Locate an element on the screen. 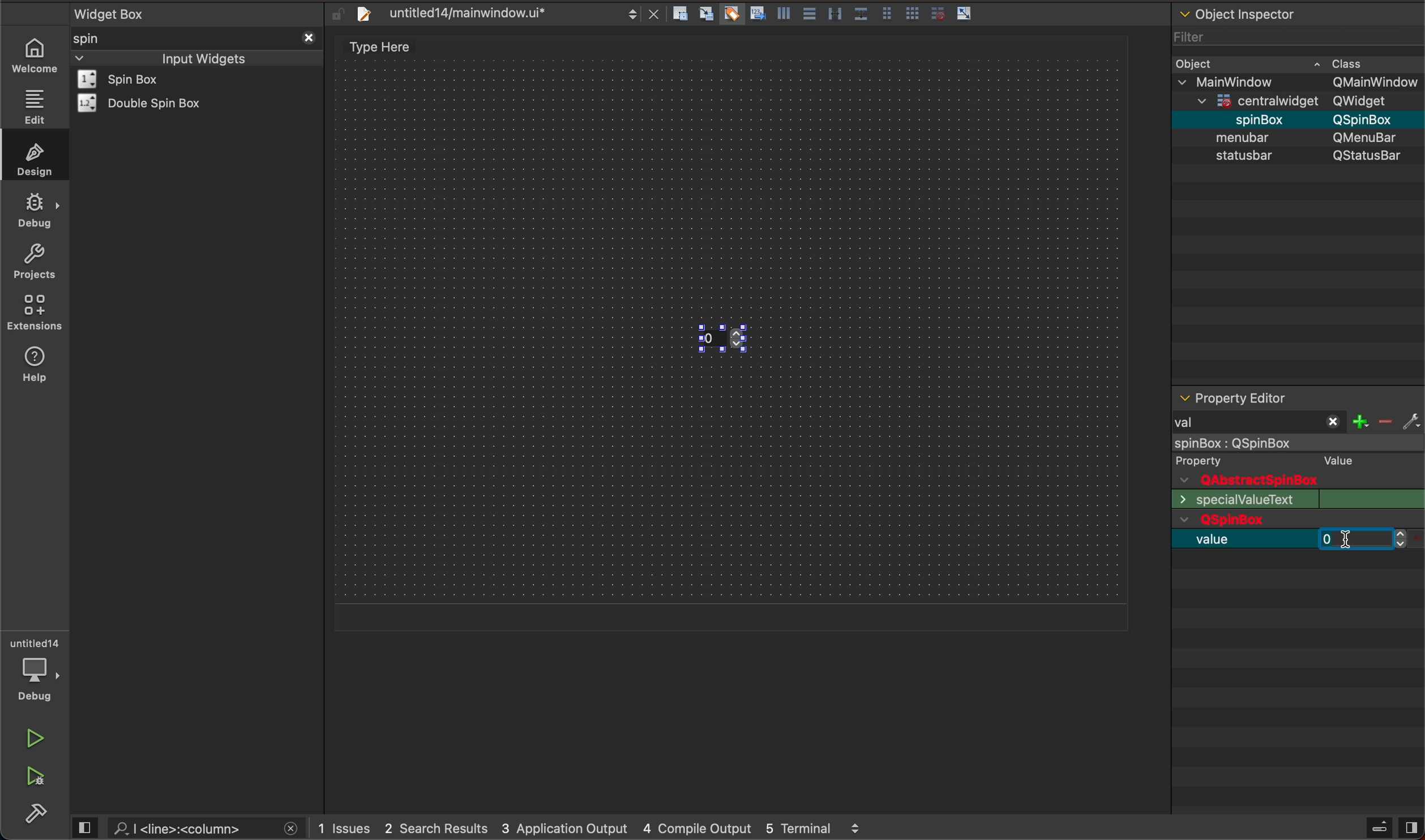 The image size is (1425, 840). text is located at coordinates (1213, 460).